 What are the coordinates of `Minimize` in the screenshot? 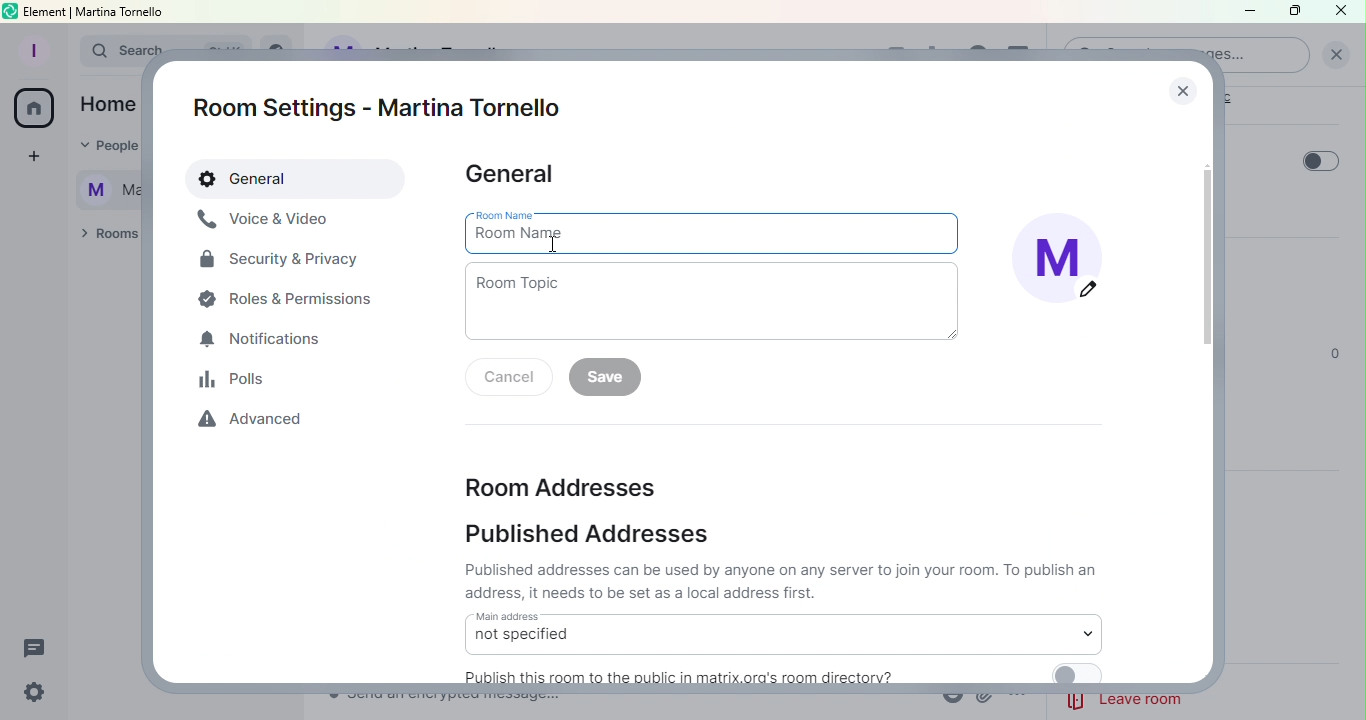 It's located at (1247, 13).